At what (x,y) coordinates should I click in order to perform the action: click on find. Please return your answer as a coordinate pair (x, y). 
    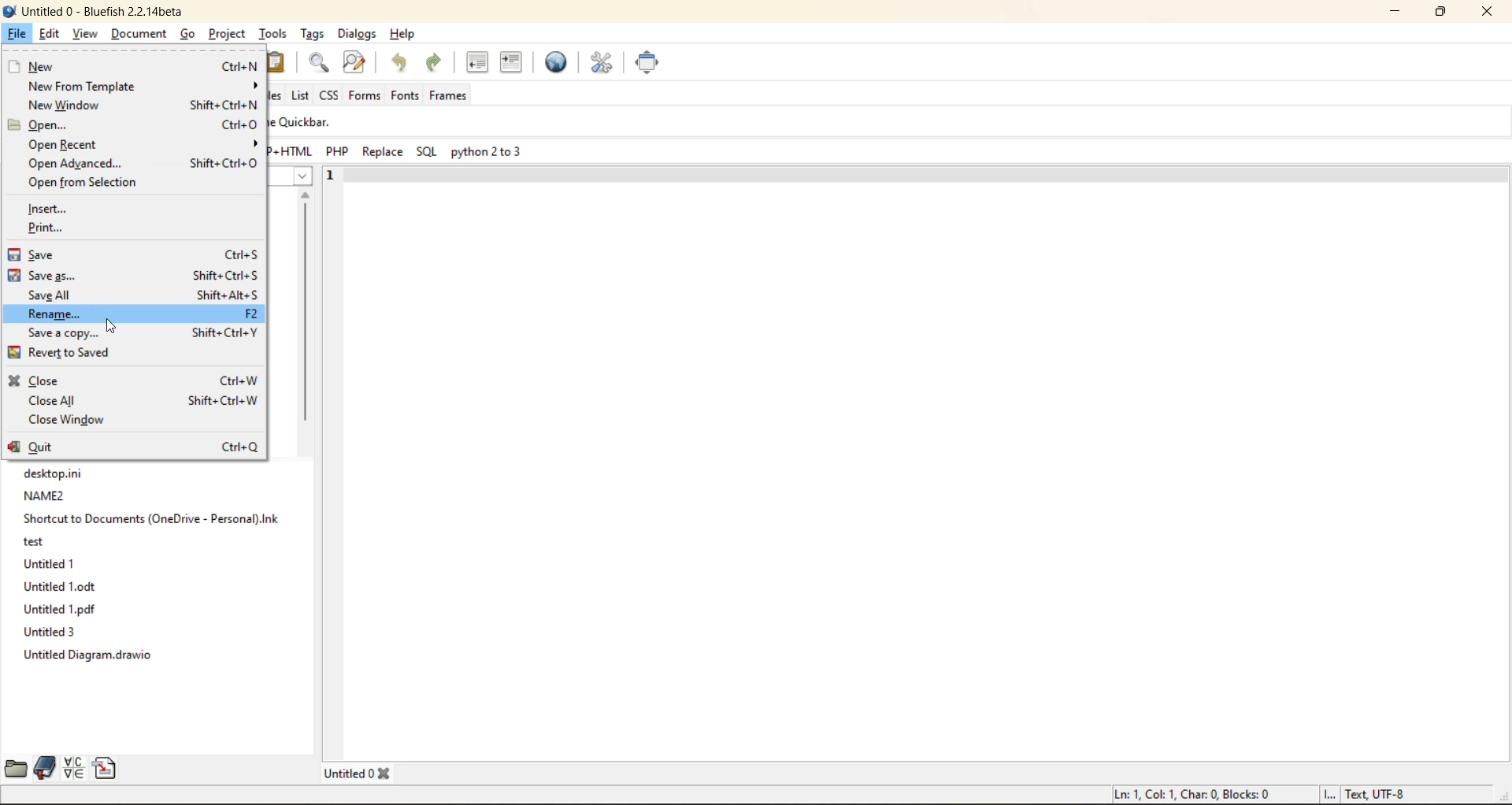
    Looking at the image, I should click on (317, 64).